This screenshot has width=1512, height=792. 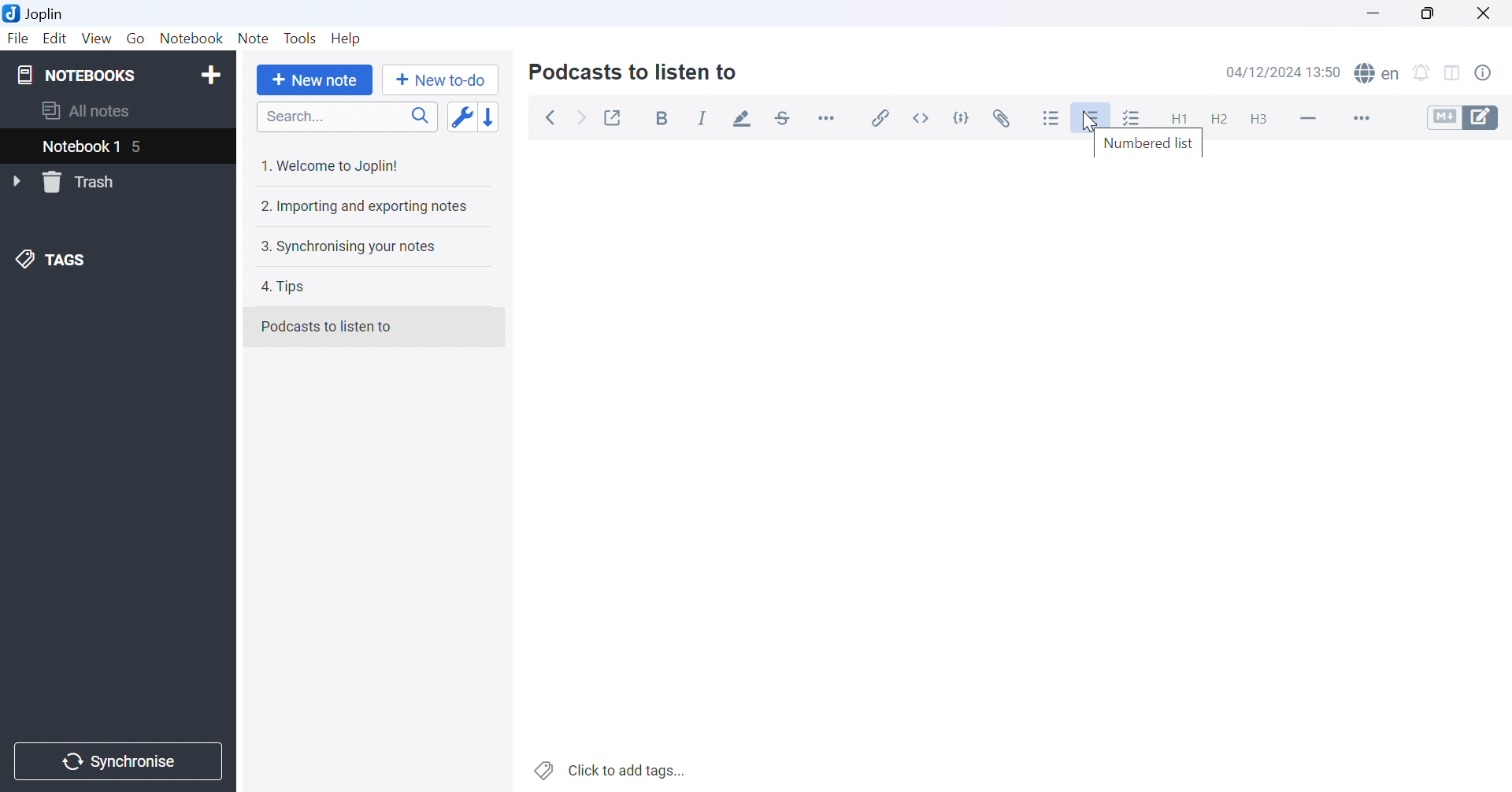 What do you see at coordinates (301, 38) in the screenshot?
I see `Tools` at bounding box center [301, 38].